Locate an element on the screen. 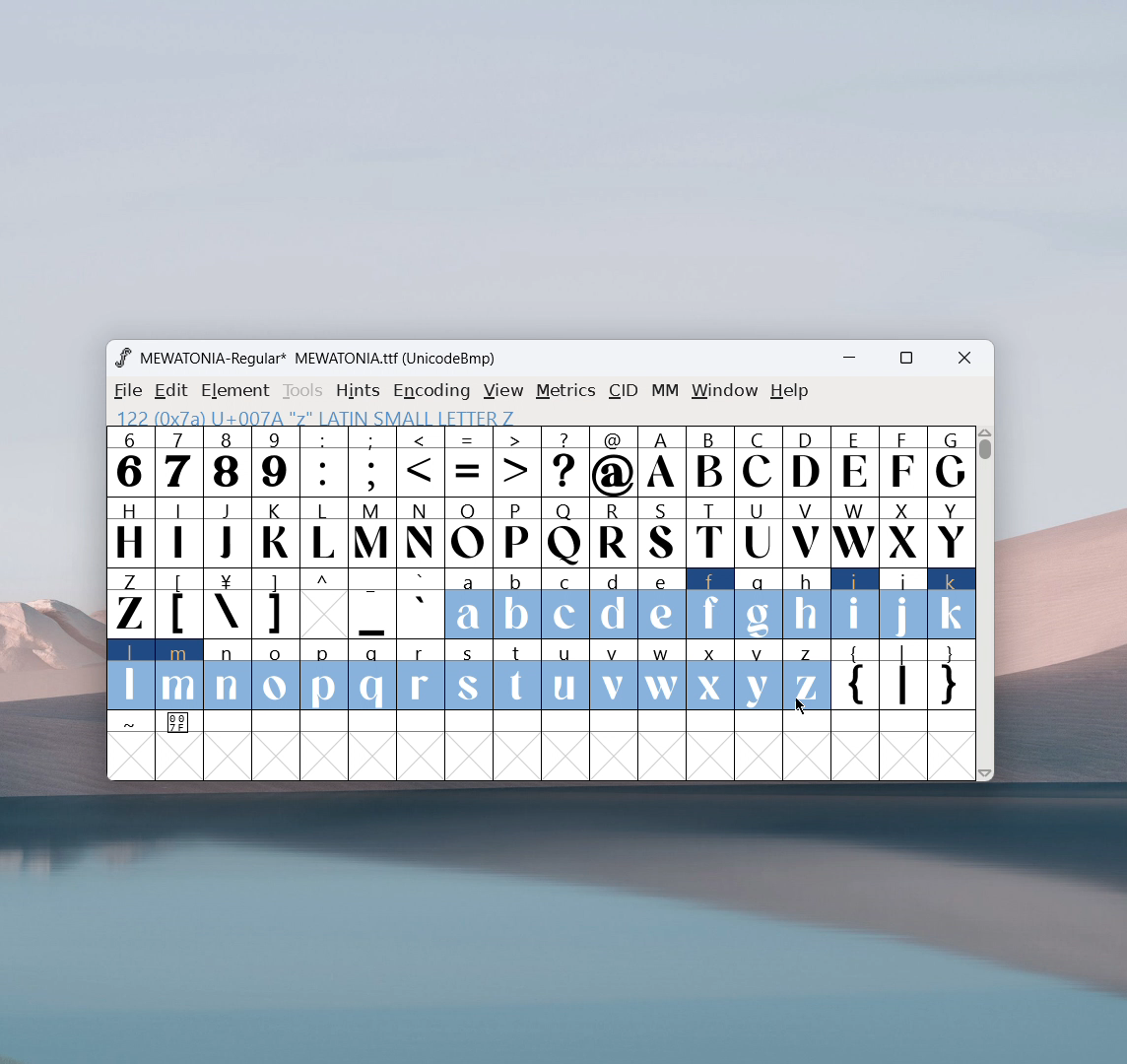 The height and width of the screenshot is (1064, 1127). edit is located at coordinates (172, 391).